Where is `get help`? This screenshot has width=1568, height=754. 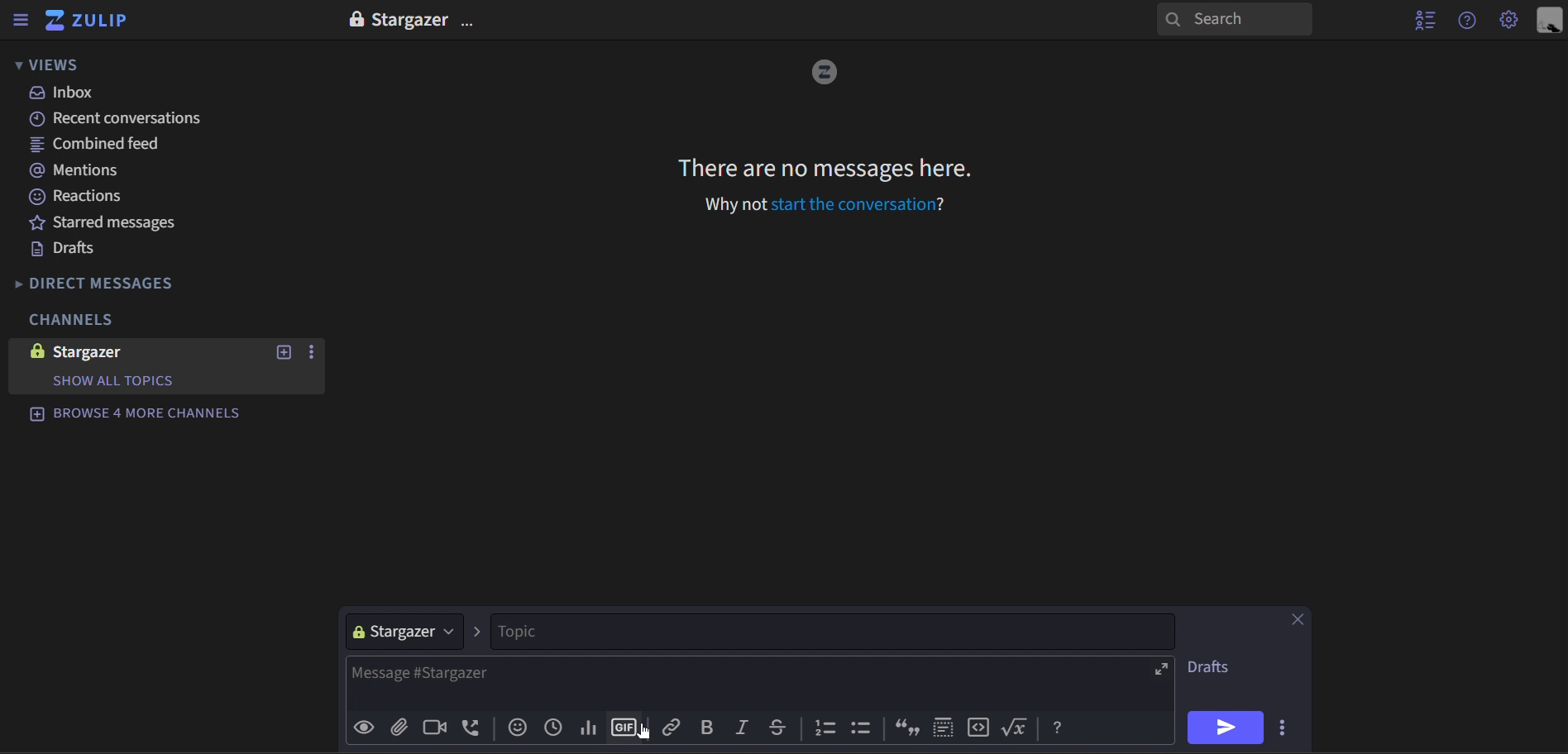
get help is located at coordinates (1469, 21).